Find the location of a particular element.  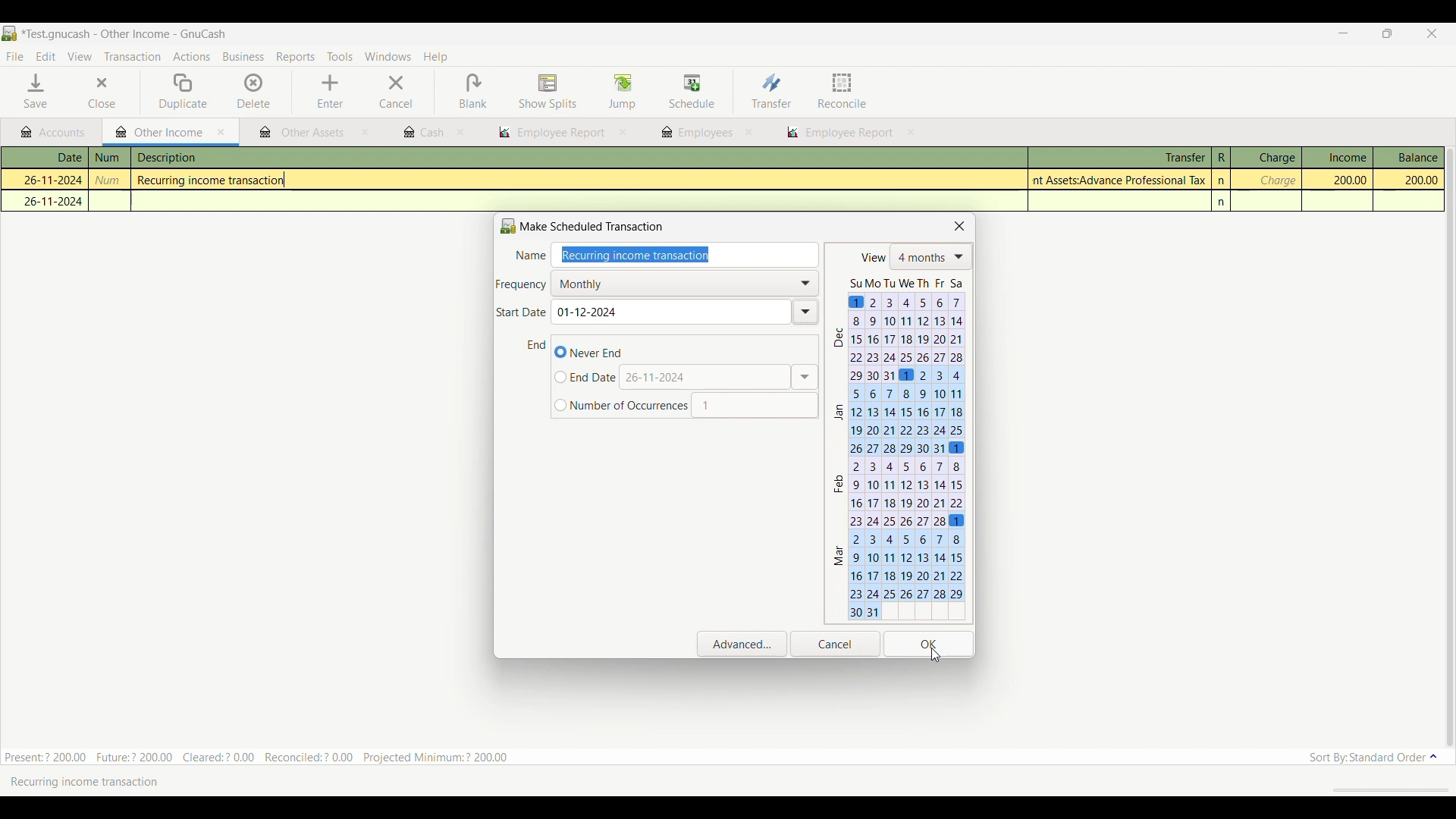

Show splits is located at coordinates (548, 93).